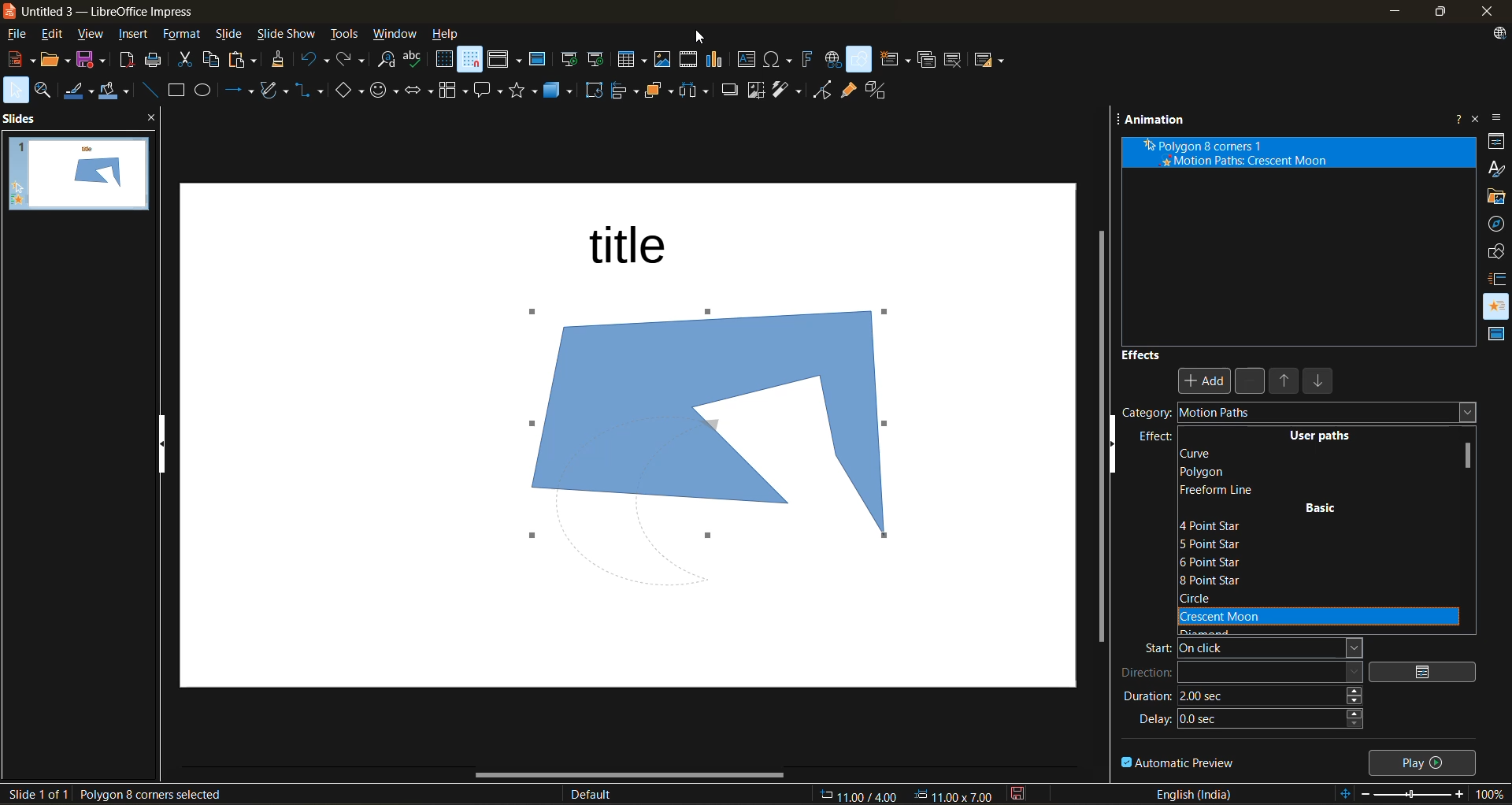  What do you see at coordinates (690, 60) in the screenshot?
I see `insert audio or video` at bounding box center [690, 60].